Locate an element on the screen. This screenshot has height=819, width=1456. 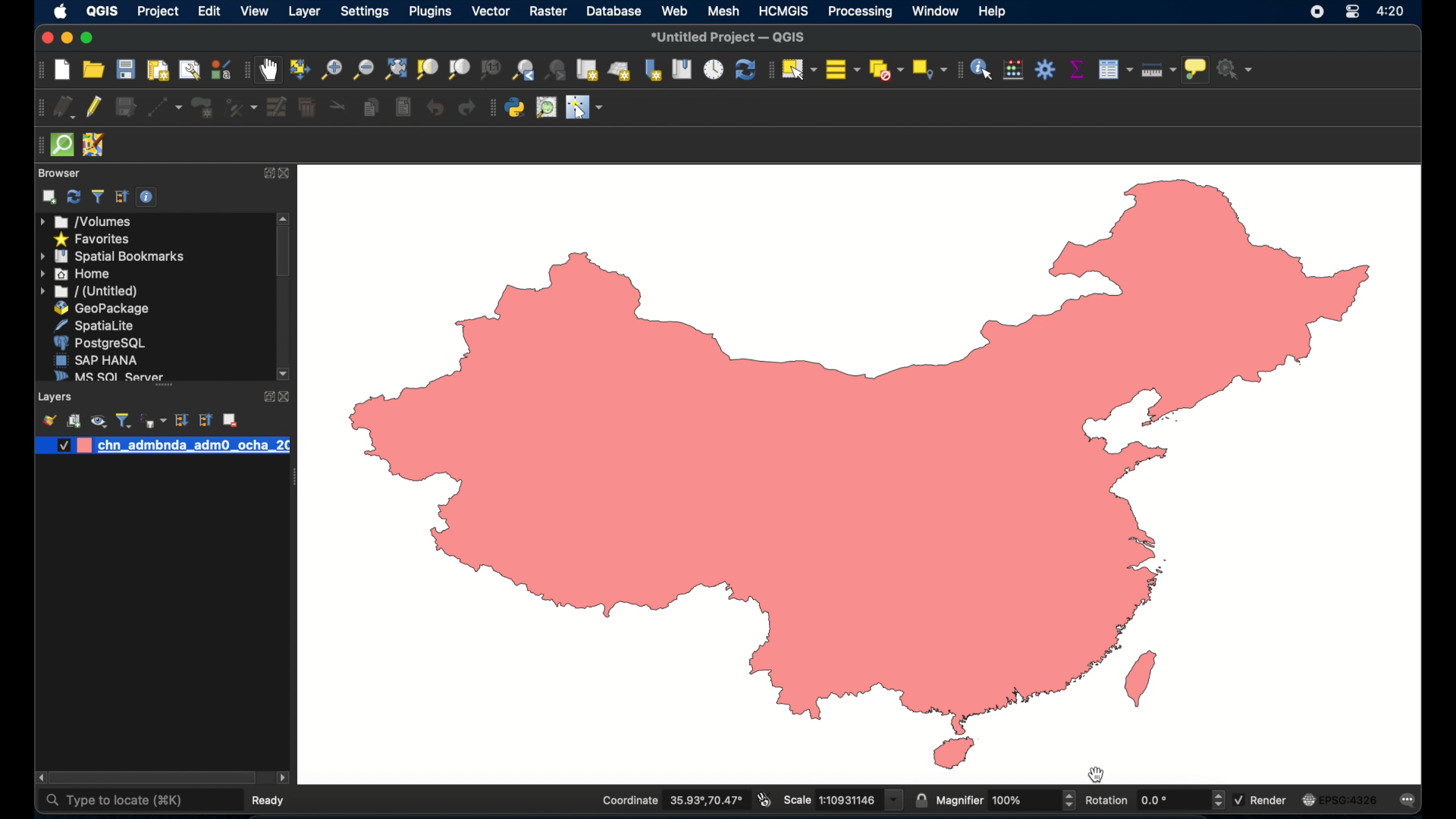
refresh is located at coordinates (743, 71).